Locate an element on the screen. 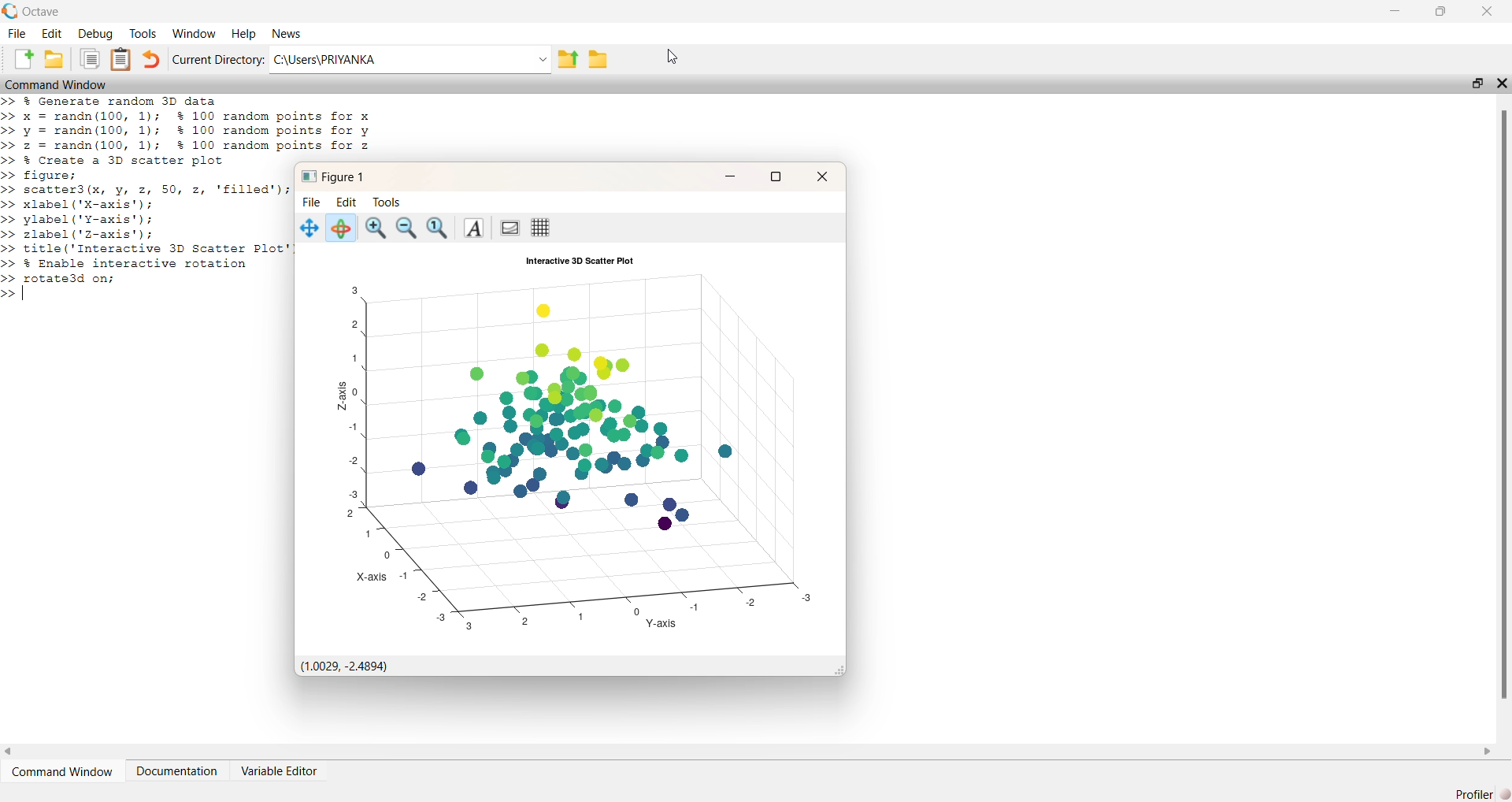  folder is located at coordinates (598, 59).